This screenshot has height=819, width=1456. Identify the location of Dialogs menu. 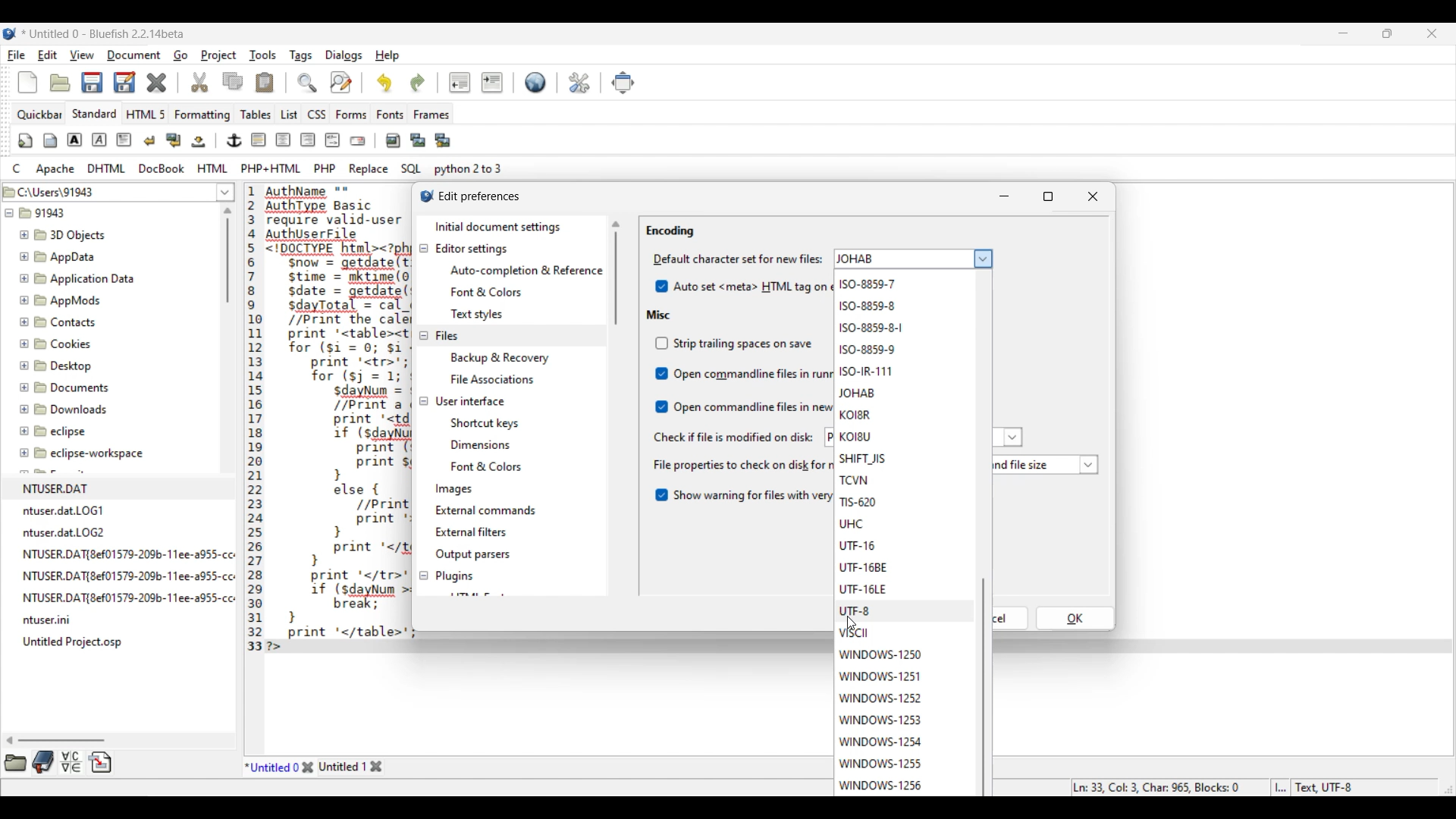
(344, 56).